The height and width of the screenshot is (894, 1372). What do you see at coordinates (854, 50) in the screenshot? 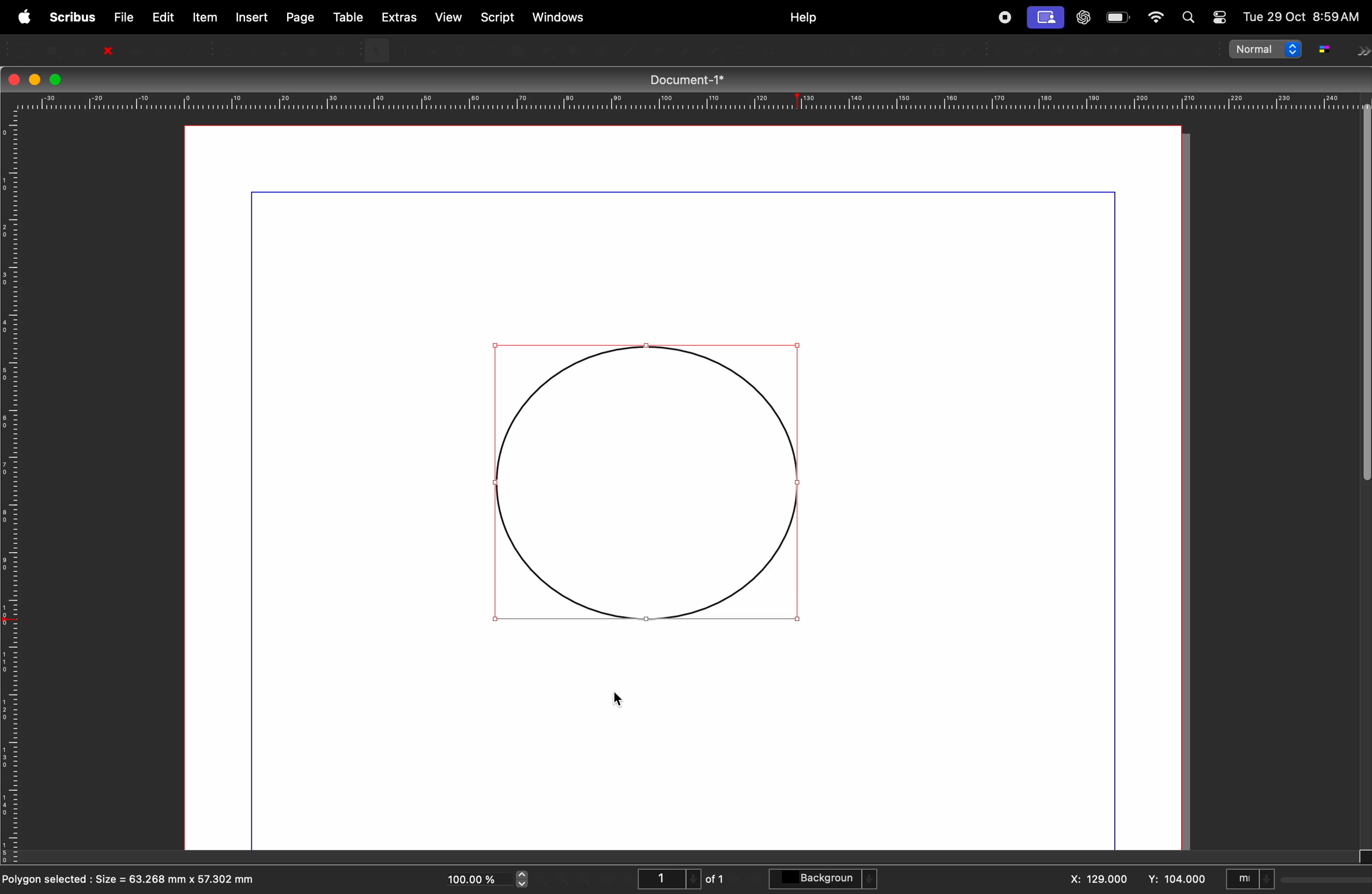
I see `Link text frames` at bounding box center [854, 50].